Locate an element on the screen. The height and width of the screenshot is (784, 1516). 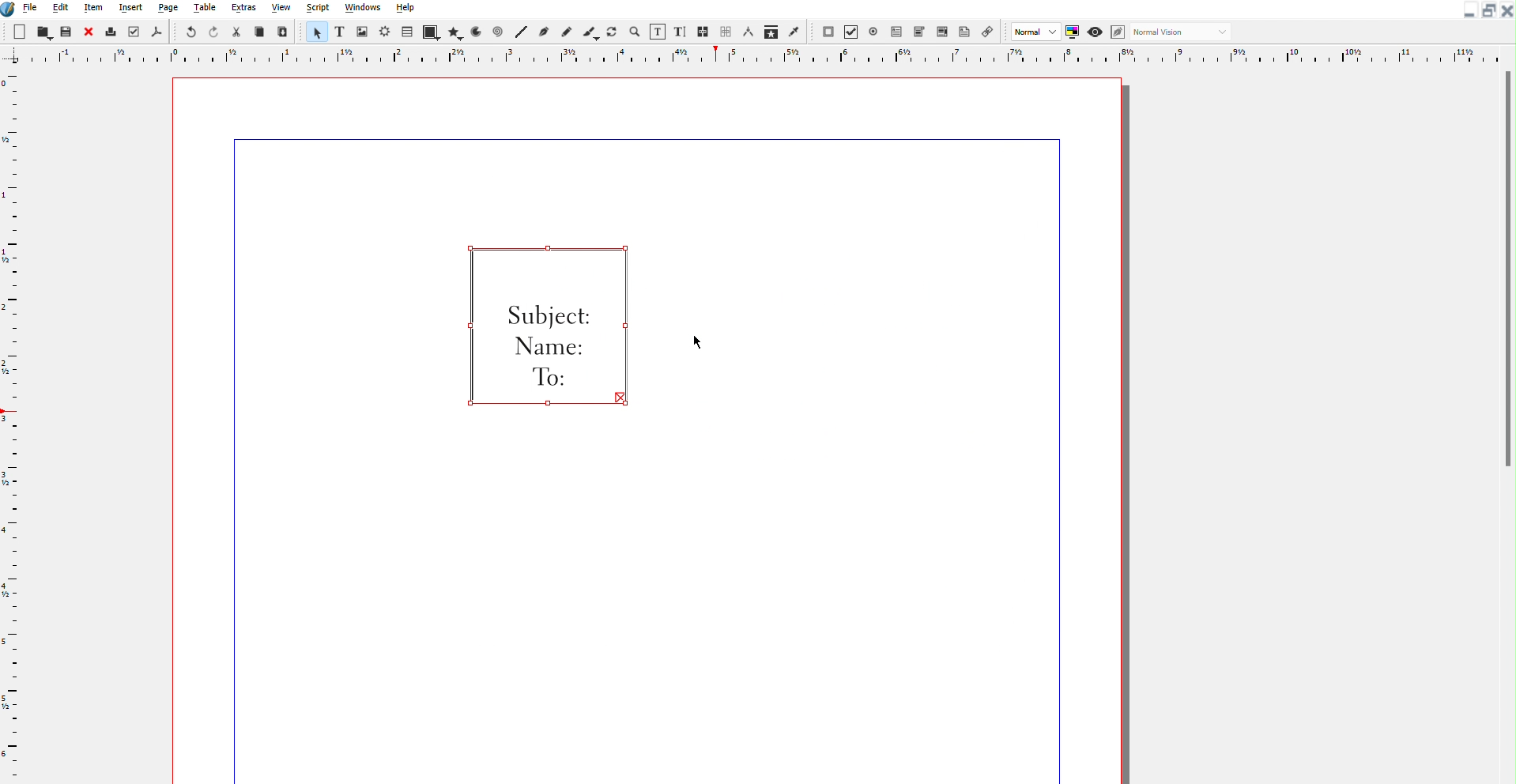
Undo is located at coordinates (190, 32).